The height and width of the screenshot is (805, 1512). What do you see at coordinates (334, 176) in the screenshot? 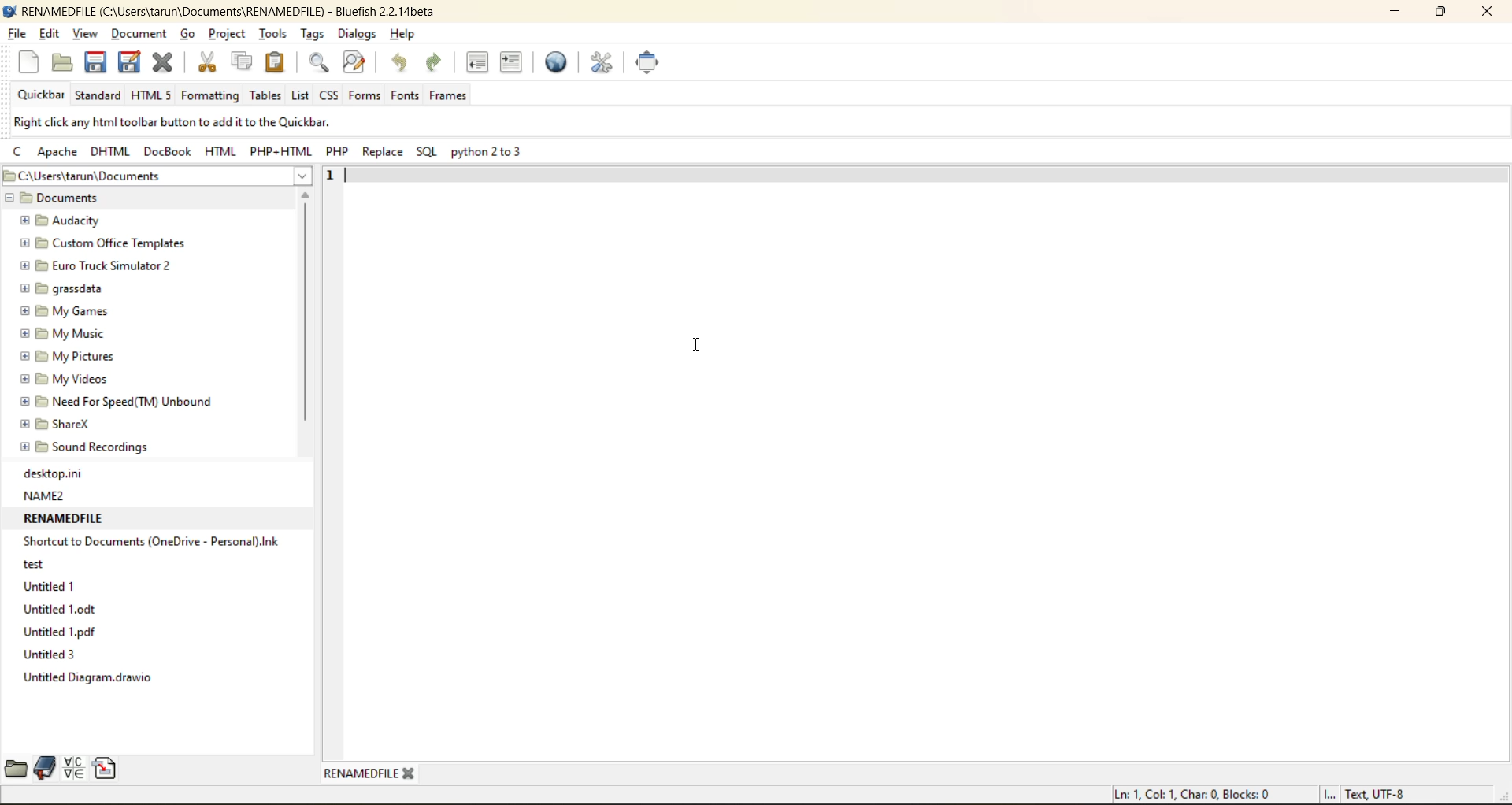
I see `1` at bounding box center [334, 176].